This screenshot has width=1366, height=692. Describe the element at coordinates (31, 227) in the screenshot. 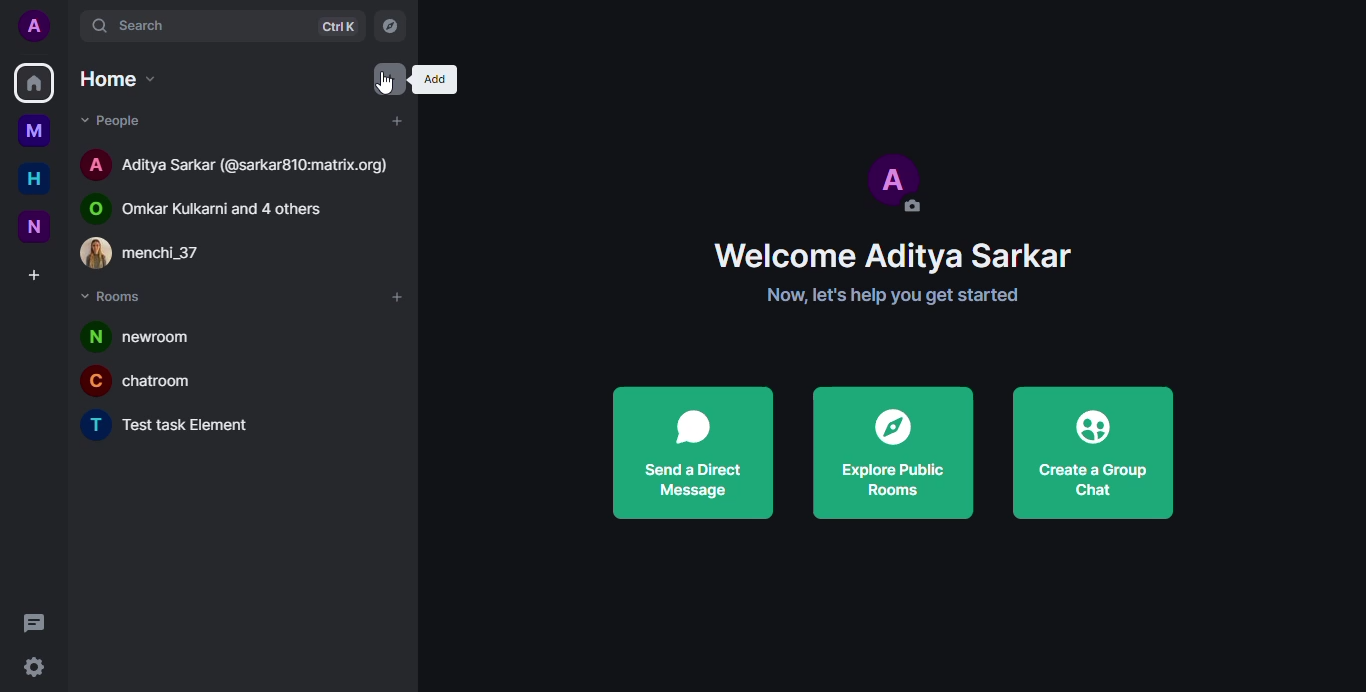

I see `new` at that location.